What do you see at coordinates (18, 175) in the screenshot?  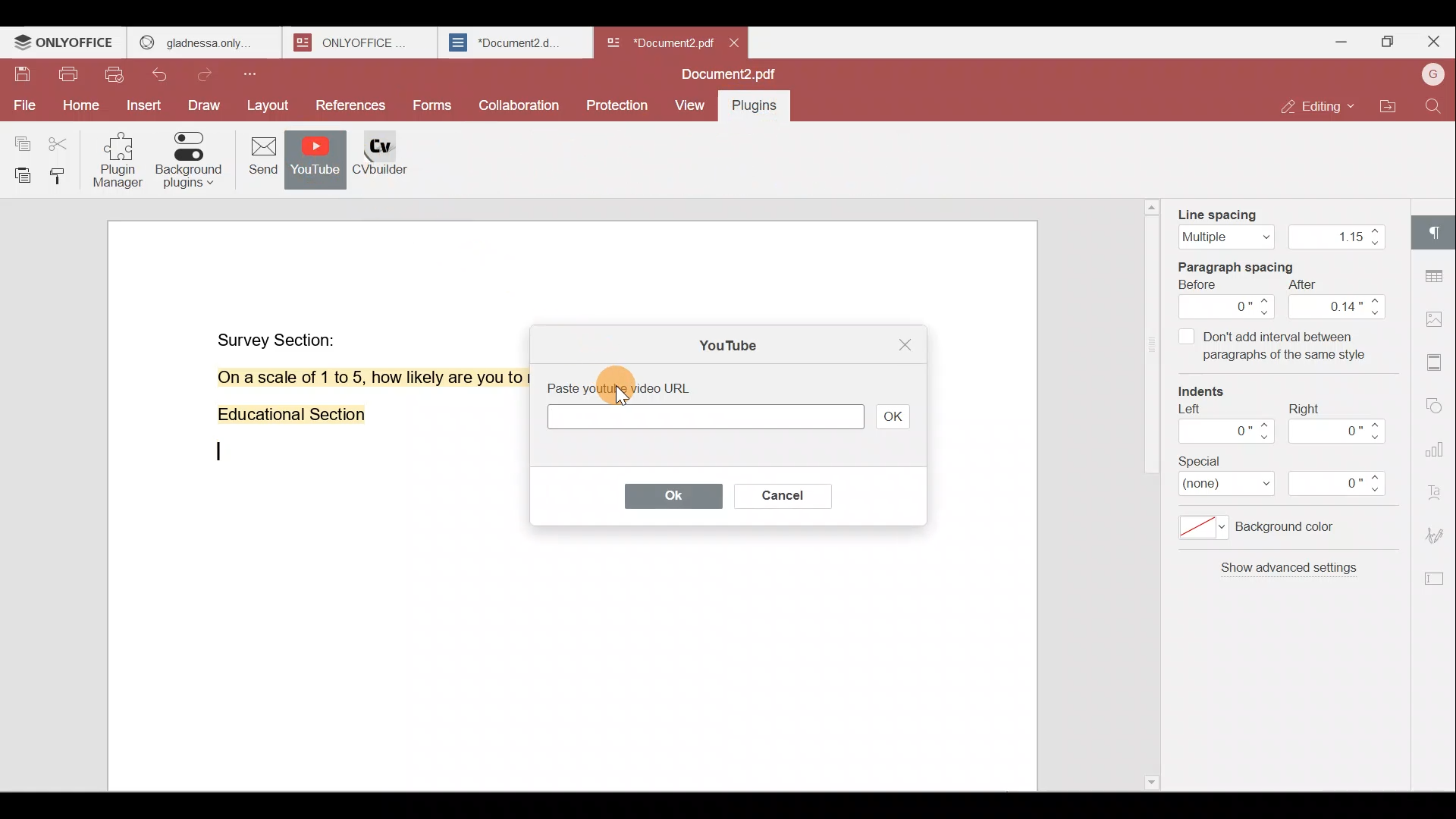 I see `Paste` at bounding box center [18, 175].